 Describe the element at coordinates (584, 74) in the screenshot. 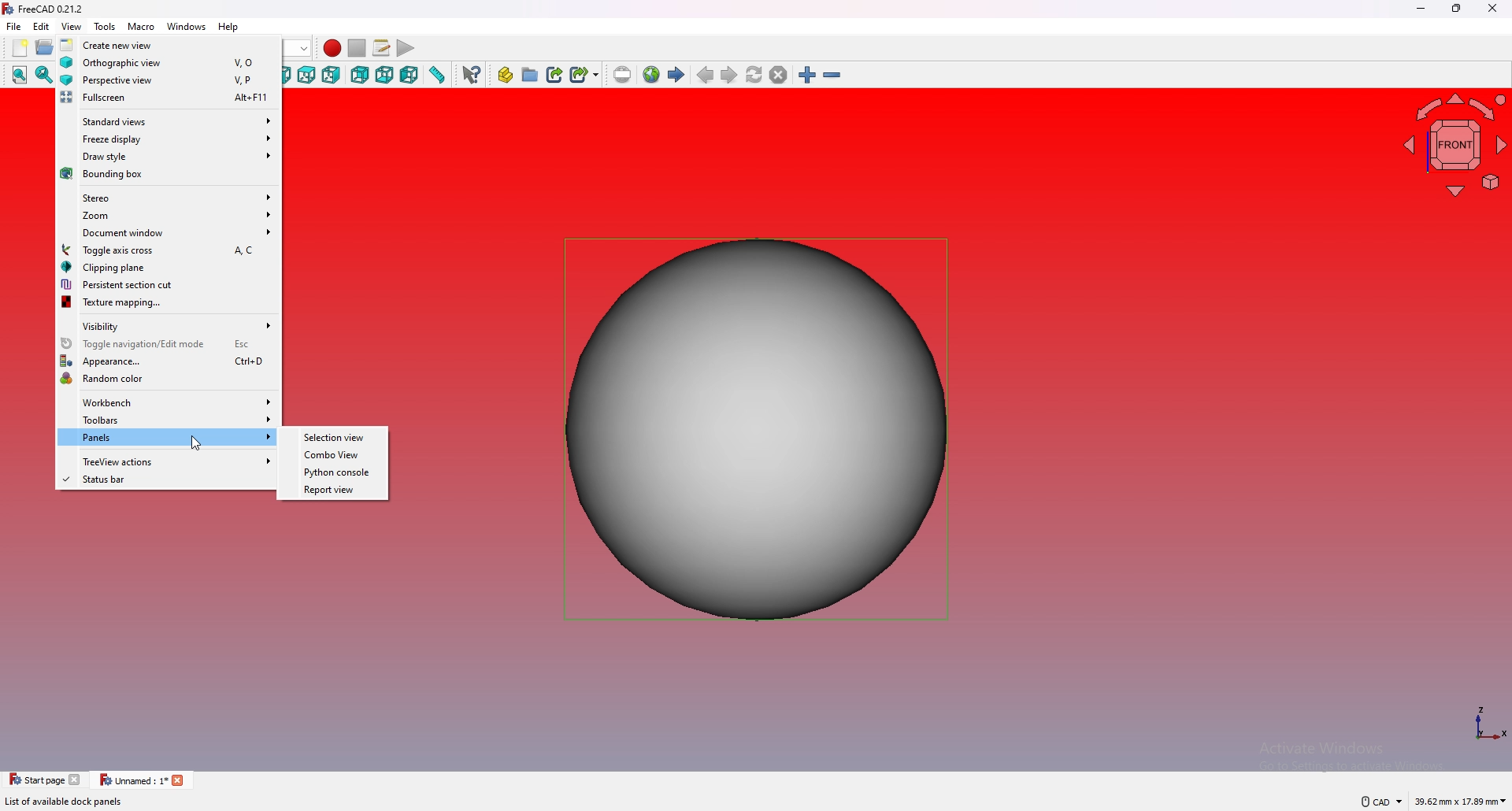

I see `create sublink` at that location.